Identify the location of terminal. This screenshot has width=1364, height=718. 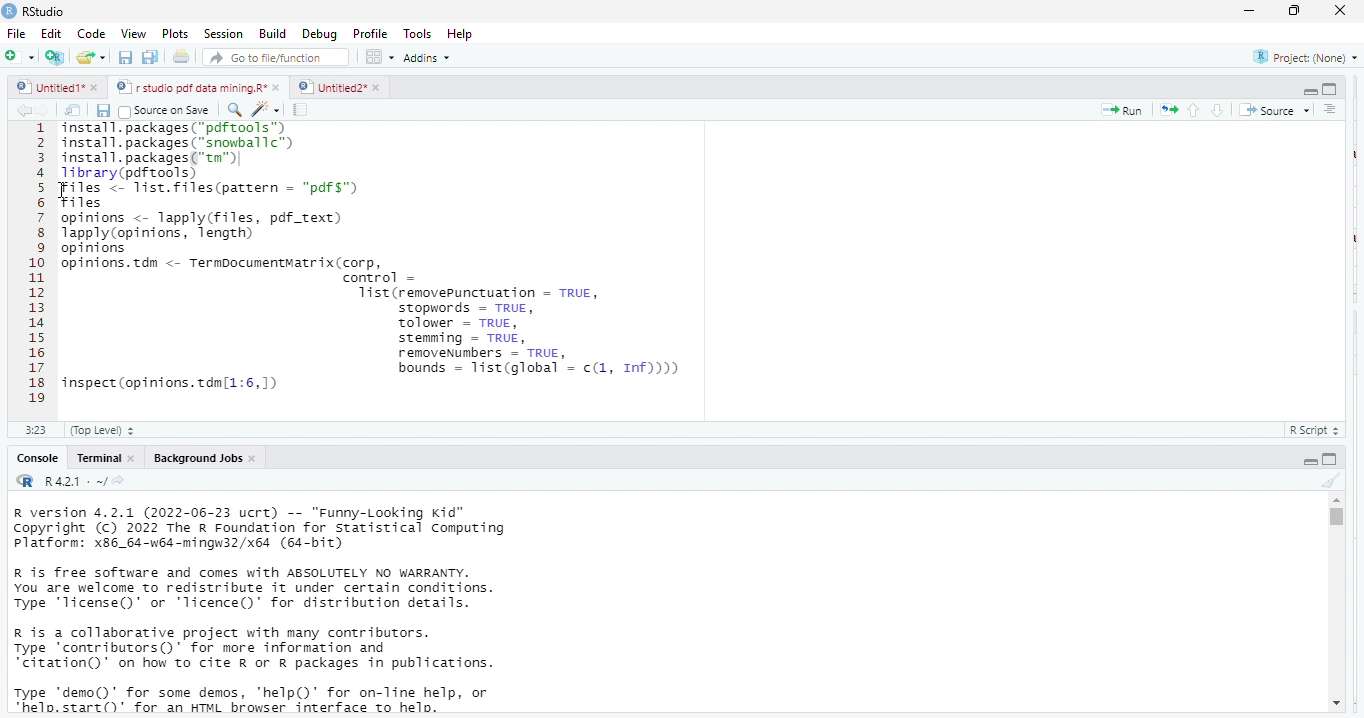
(97, 458).